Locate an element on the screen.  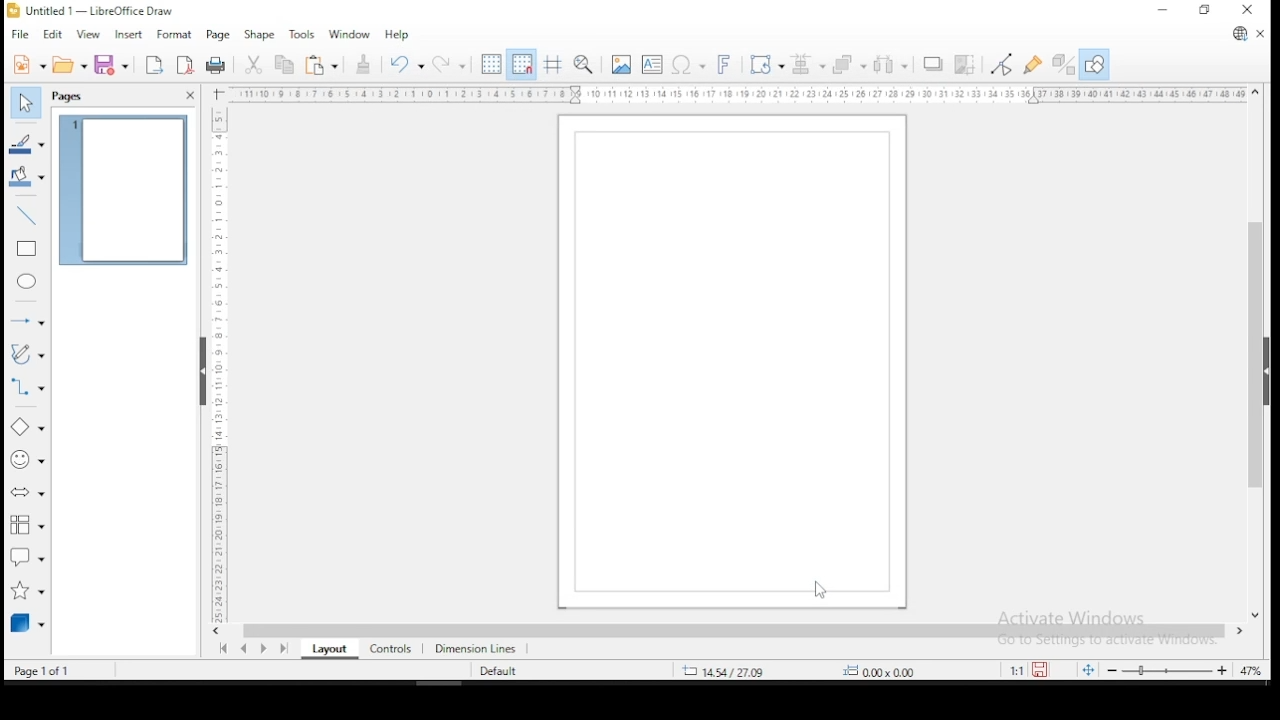
scroll bar is located at coordinates (1256, 353).